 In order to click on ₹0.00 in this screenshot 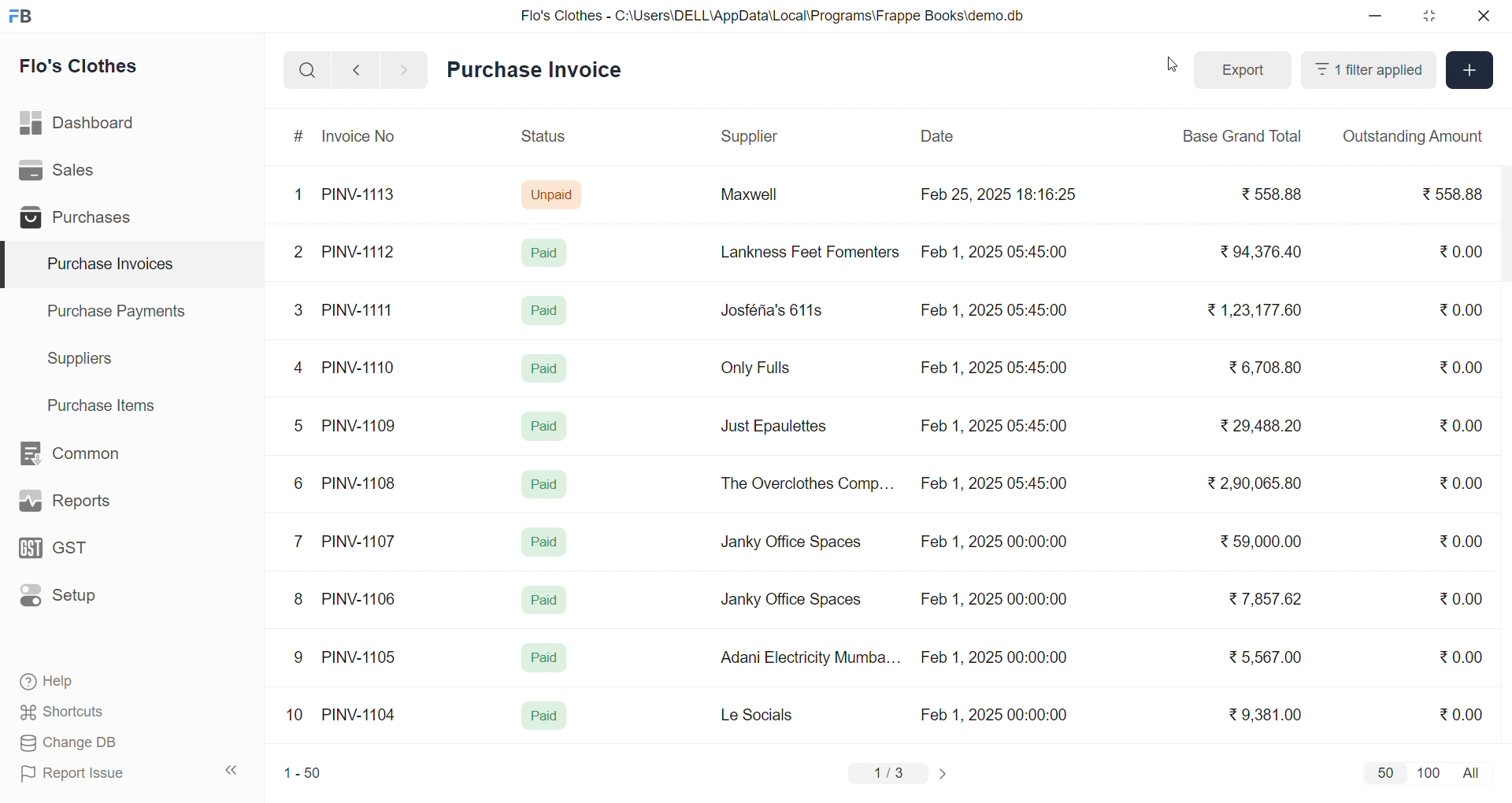, I will do `click(1461, 598)`.